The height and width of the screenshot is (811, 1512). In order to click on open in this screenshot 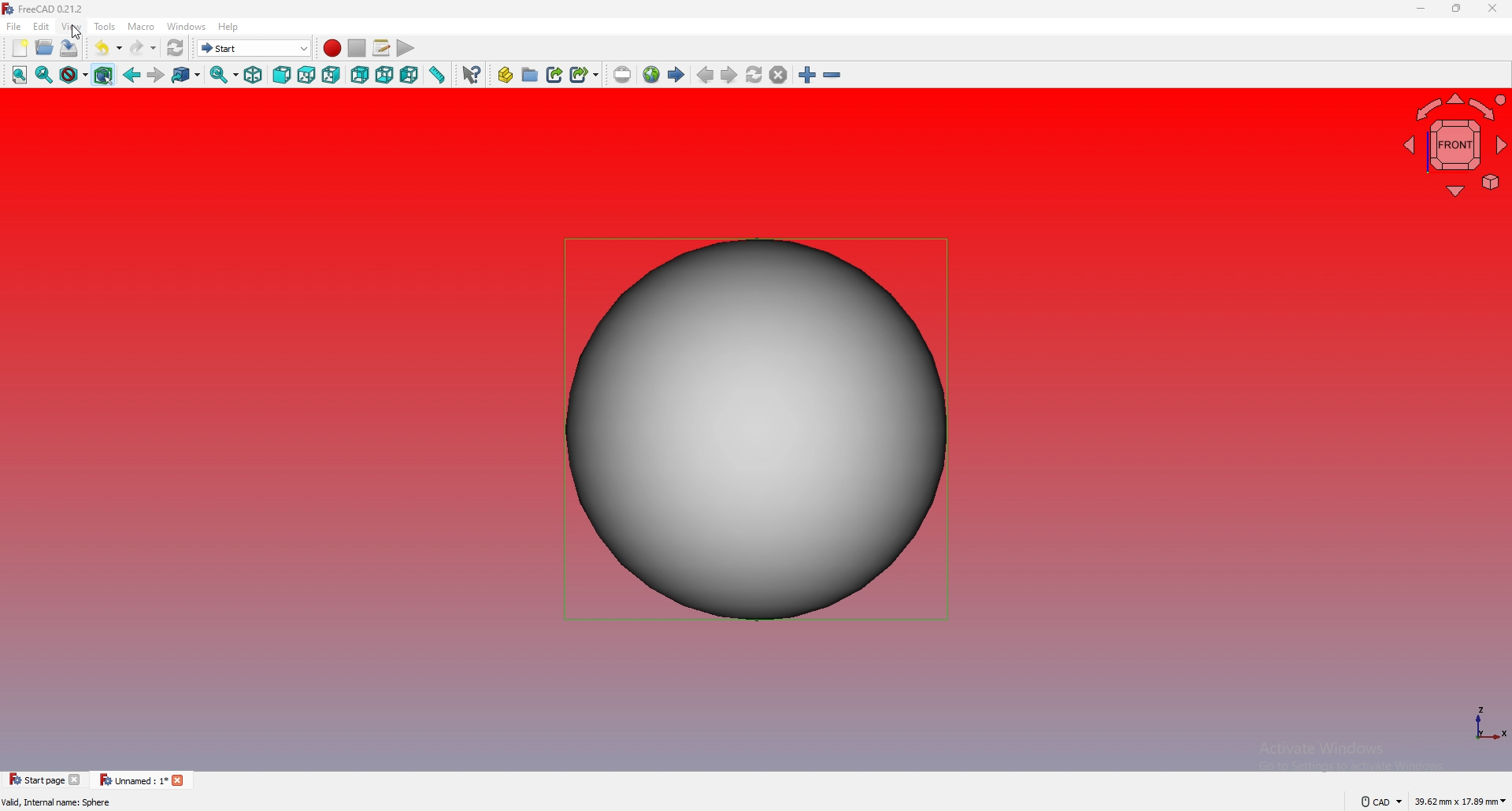, I will do `click(45, 48)`.